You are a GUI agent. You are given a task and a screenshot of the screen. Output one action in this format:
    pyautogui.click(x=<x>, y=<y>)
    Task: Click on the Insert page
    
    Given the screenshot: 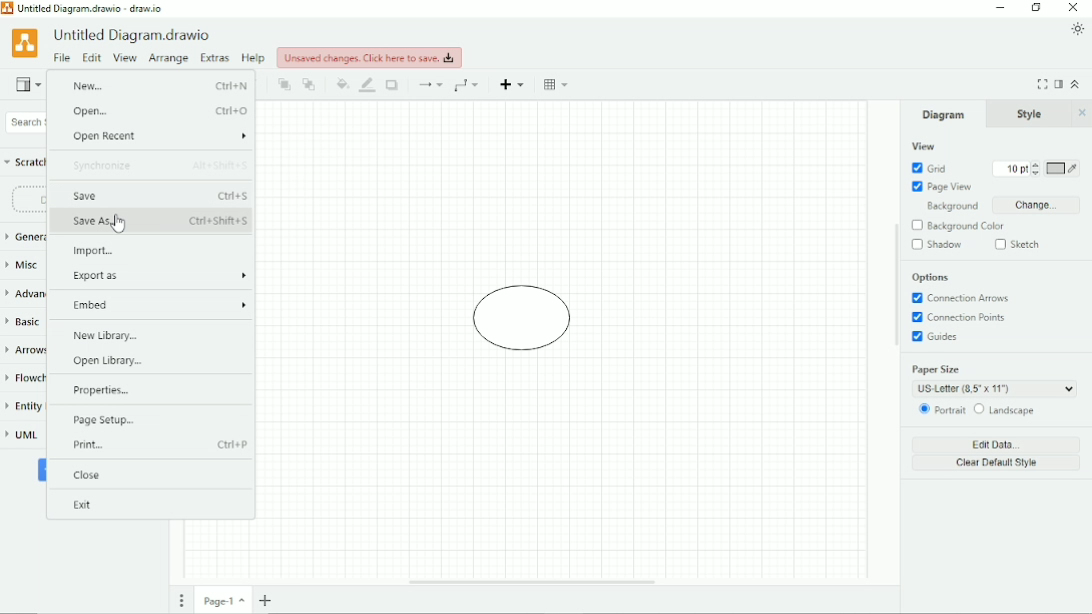 What is the action you would take?
    pyautogui.click(x=265, y=600)
    